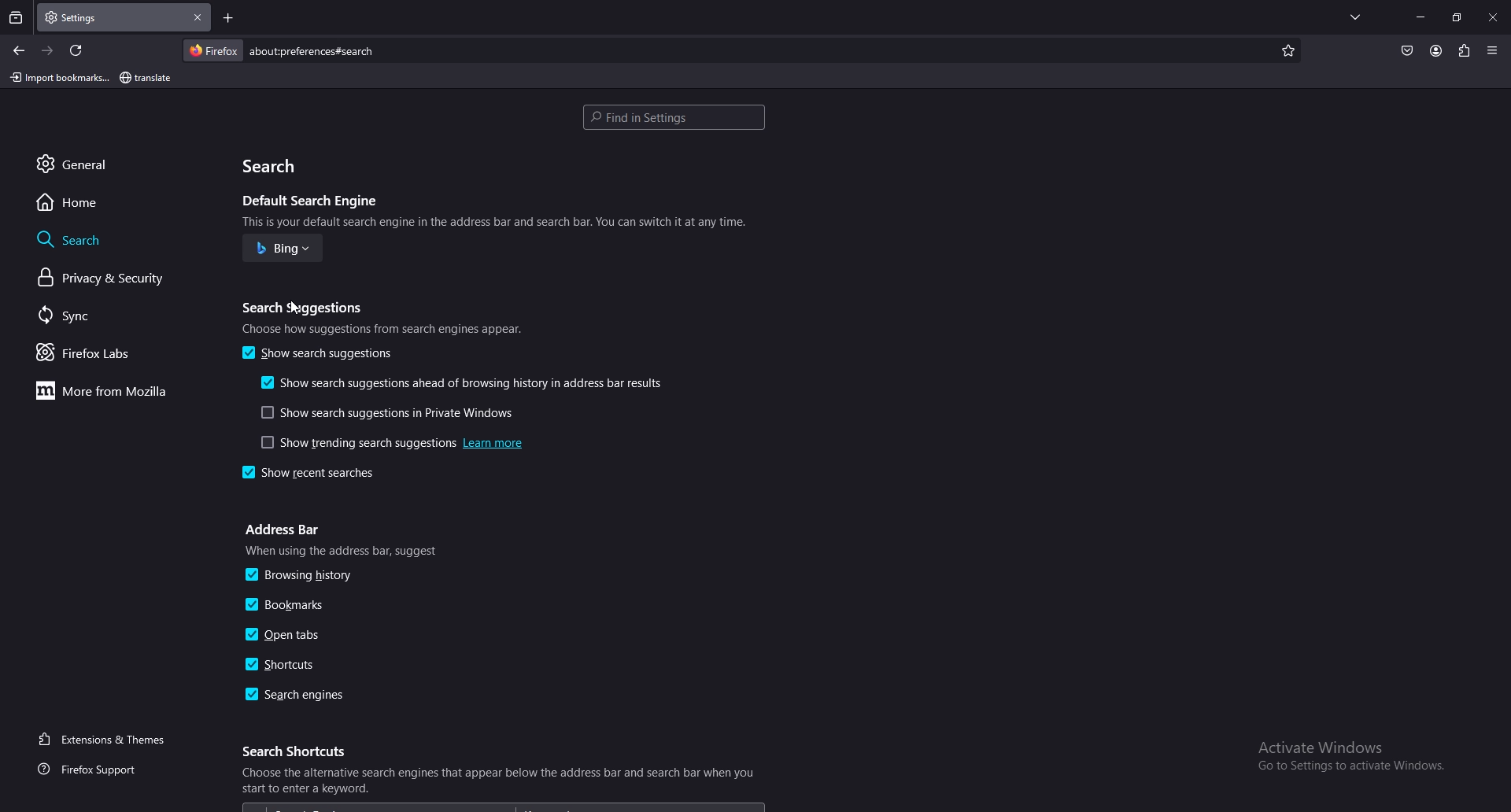 This screenshot has width=1511, height=812. Describe the element at coordinates (16, 17) in the screenshot. I see `recent browsing` at that location.